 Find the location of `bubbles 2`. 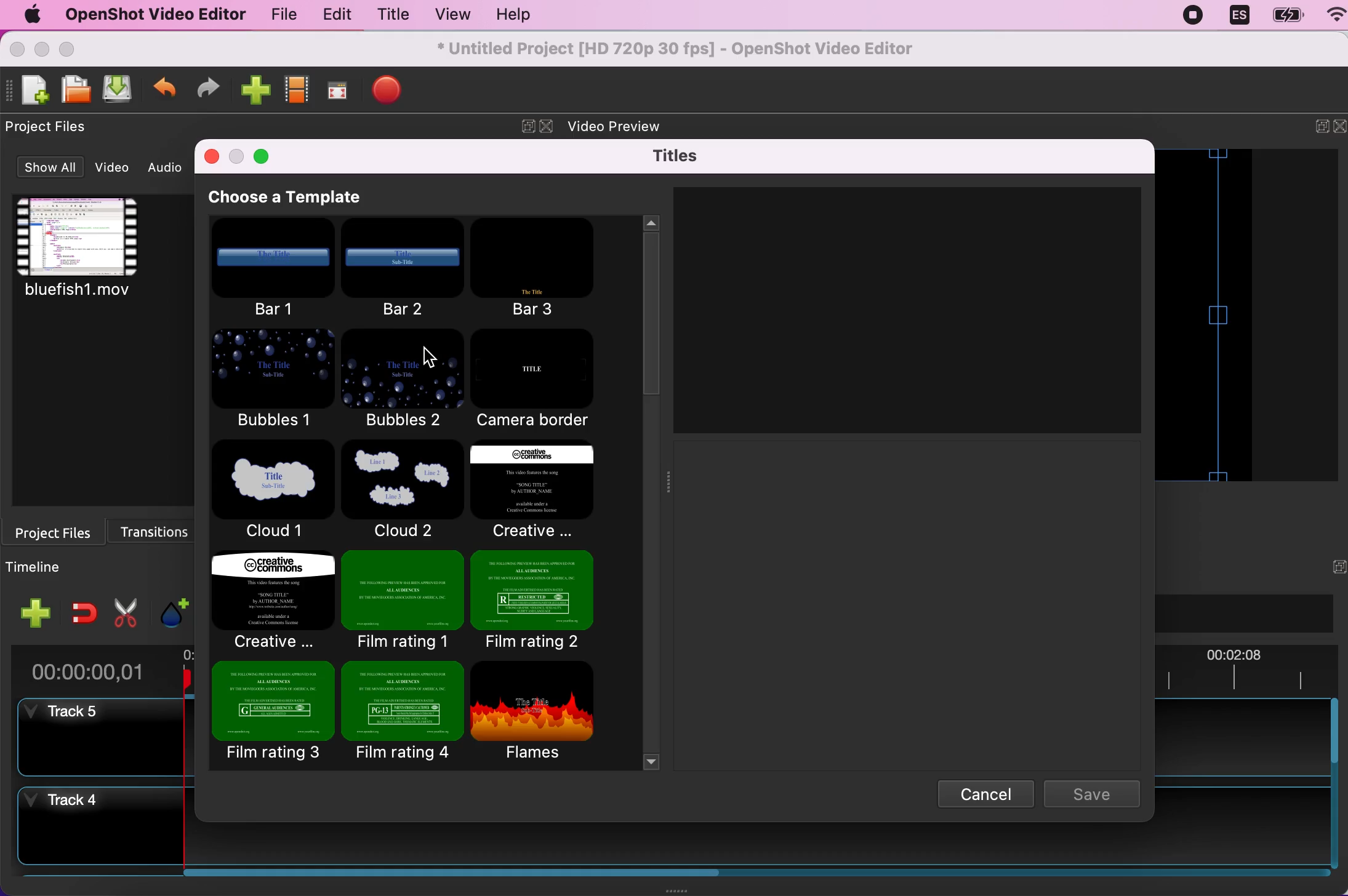

bubbles 2 is located at coordinates (403, 381).